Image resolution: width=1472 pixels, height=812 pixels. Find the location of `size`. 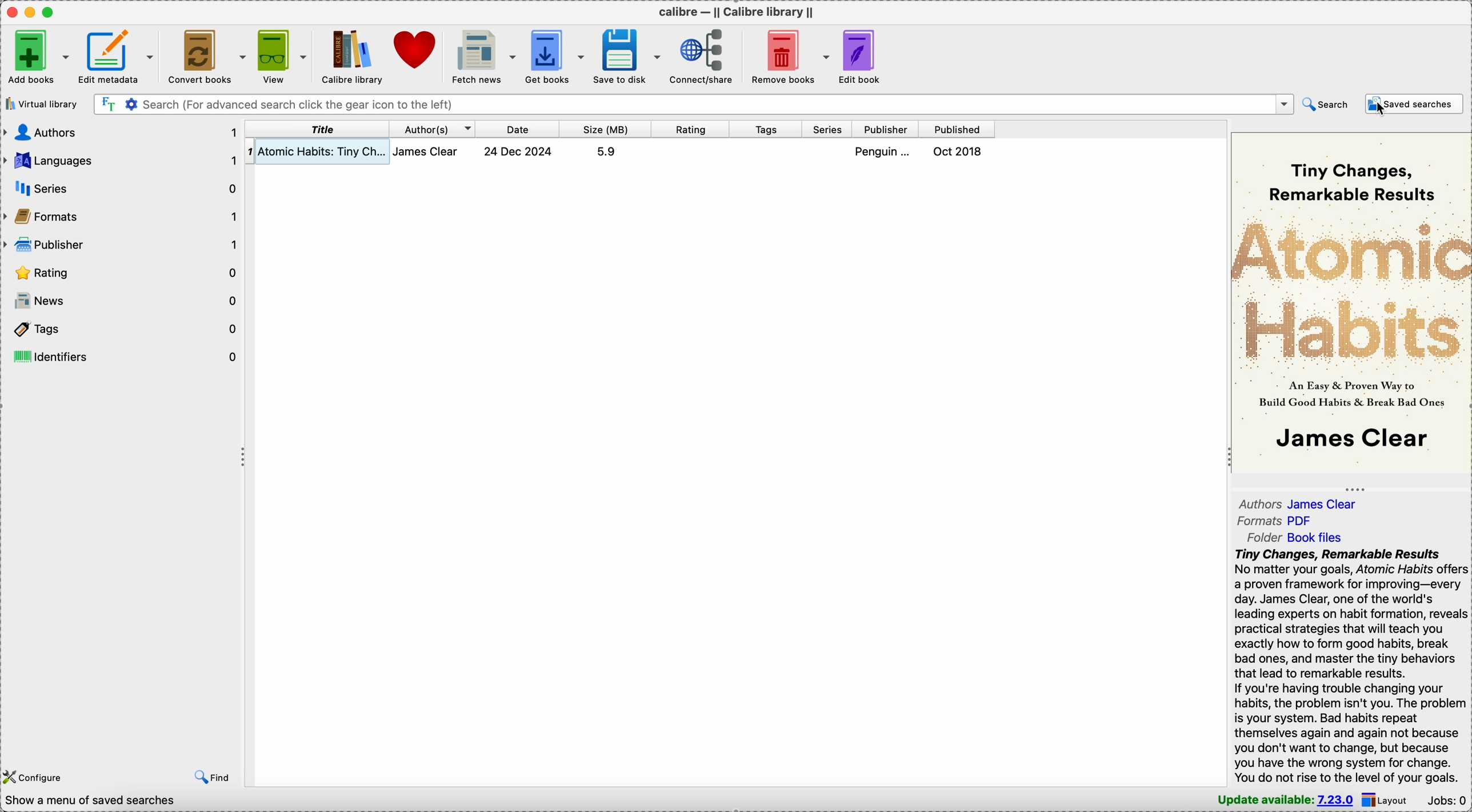

size is located at coordinates (606, 129).